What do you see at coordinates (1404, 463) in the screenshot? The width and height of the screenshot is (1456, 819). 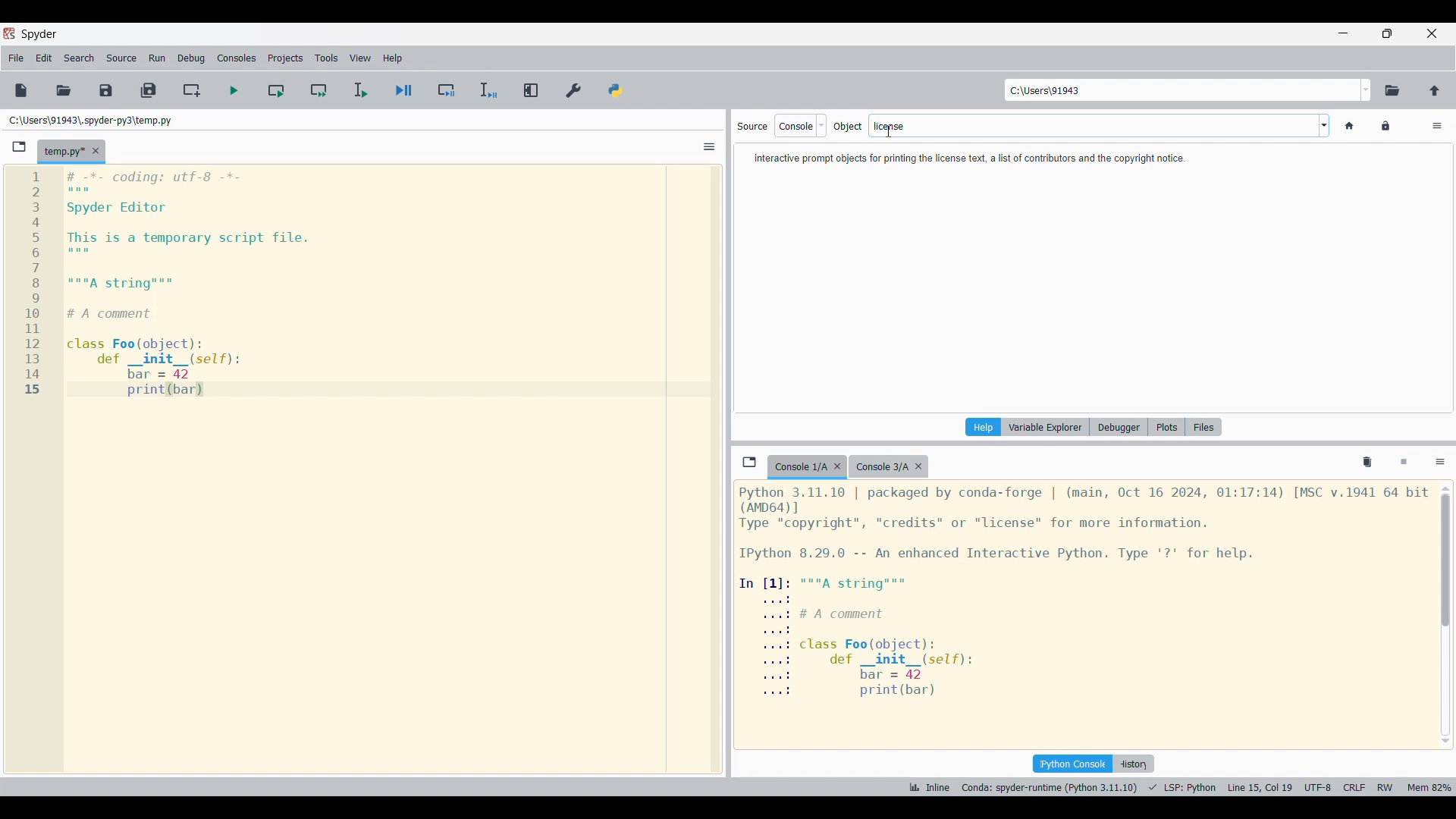 I see `Interrupt kernel` at bounding box center [1404, 463].